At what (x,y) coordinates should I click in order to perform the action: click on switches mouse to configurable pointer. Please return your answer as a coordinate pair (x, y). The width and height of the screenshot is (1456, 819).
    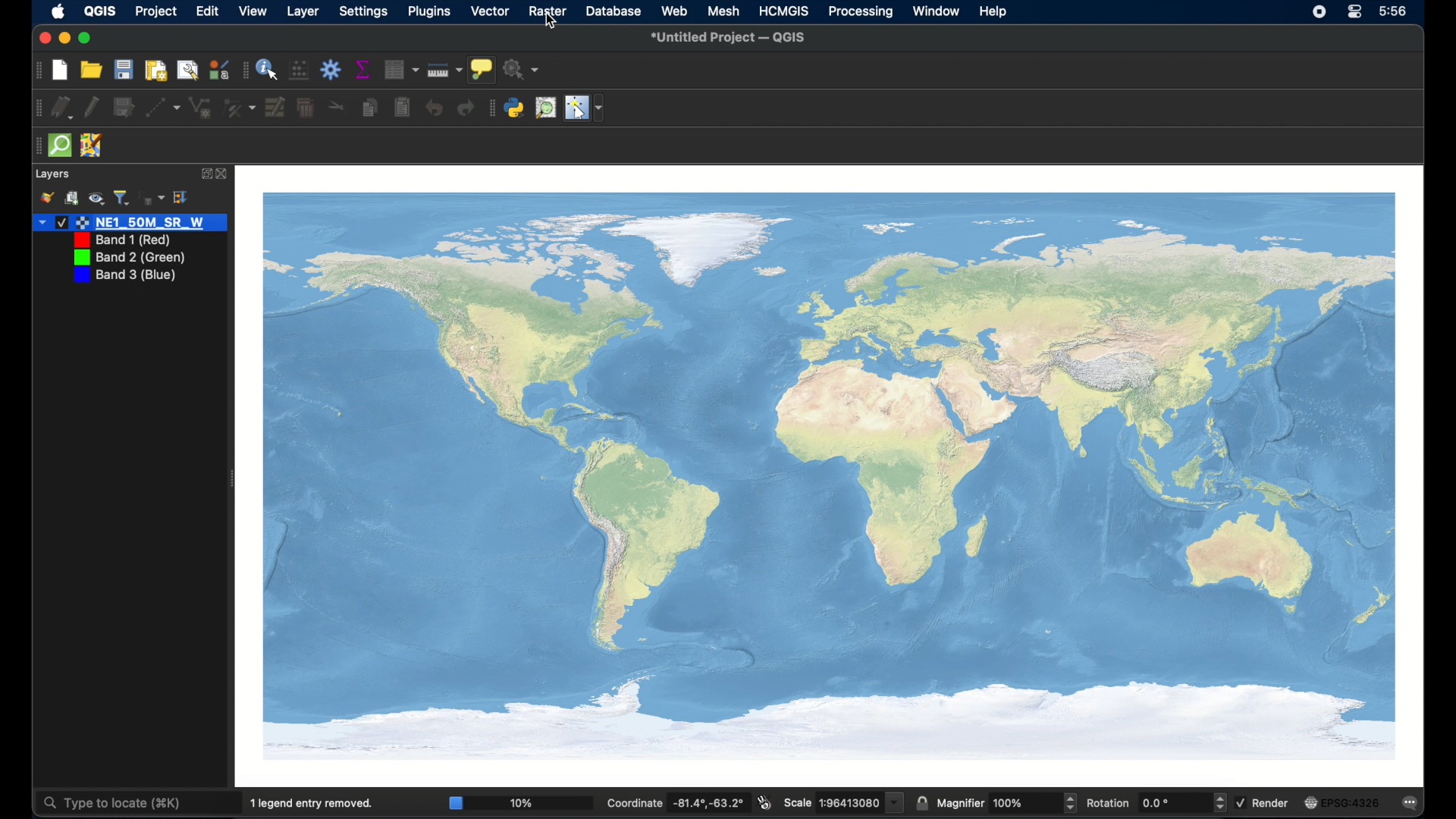
    Looking at the image, I should click on (585, 109).